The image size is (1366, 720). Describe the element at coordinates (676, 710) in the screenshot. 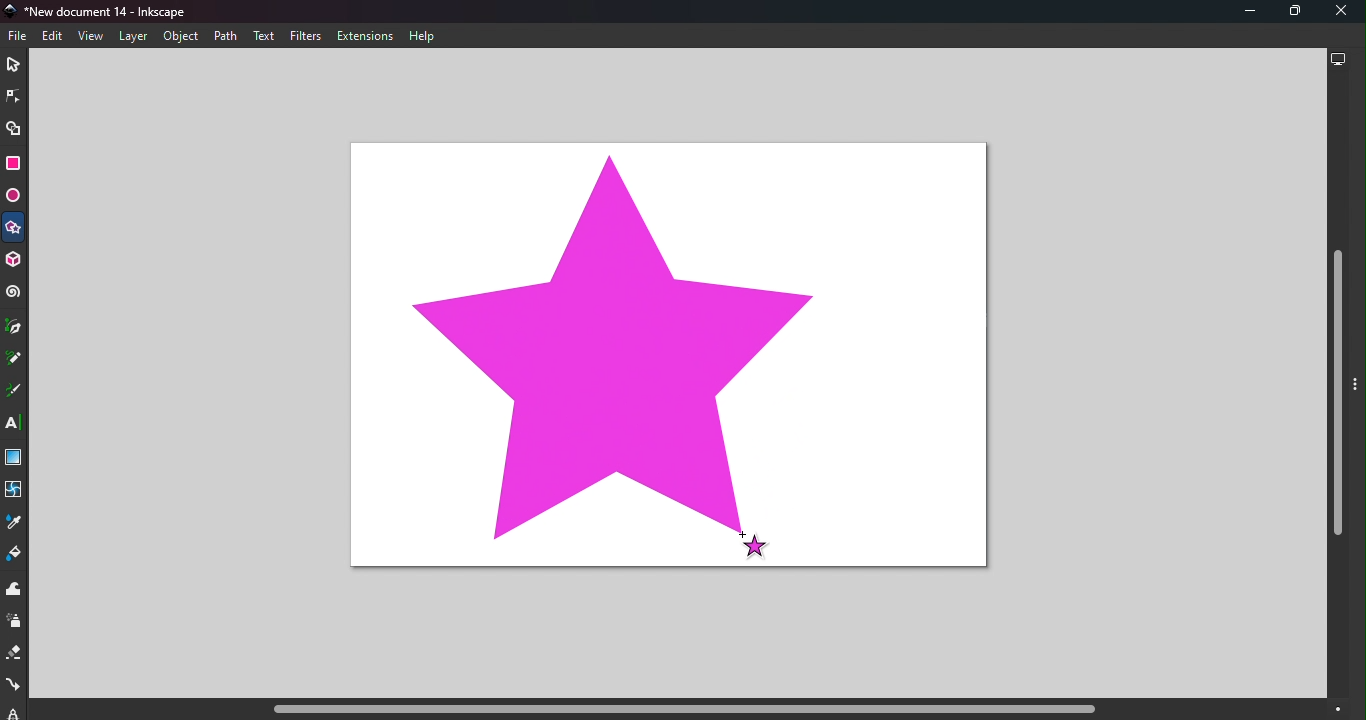

I see `Horizontal scroll bar` at that location.